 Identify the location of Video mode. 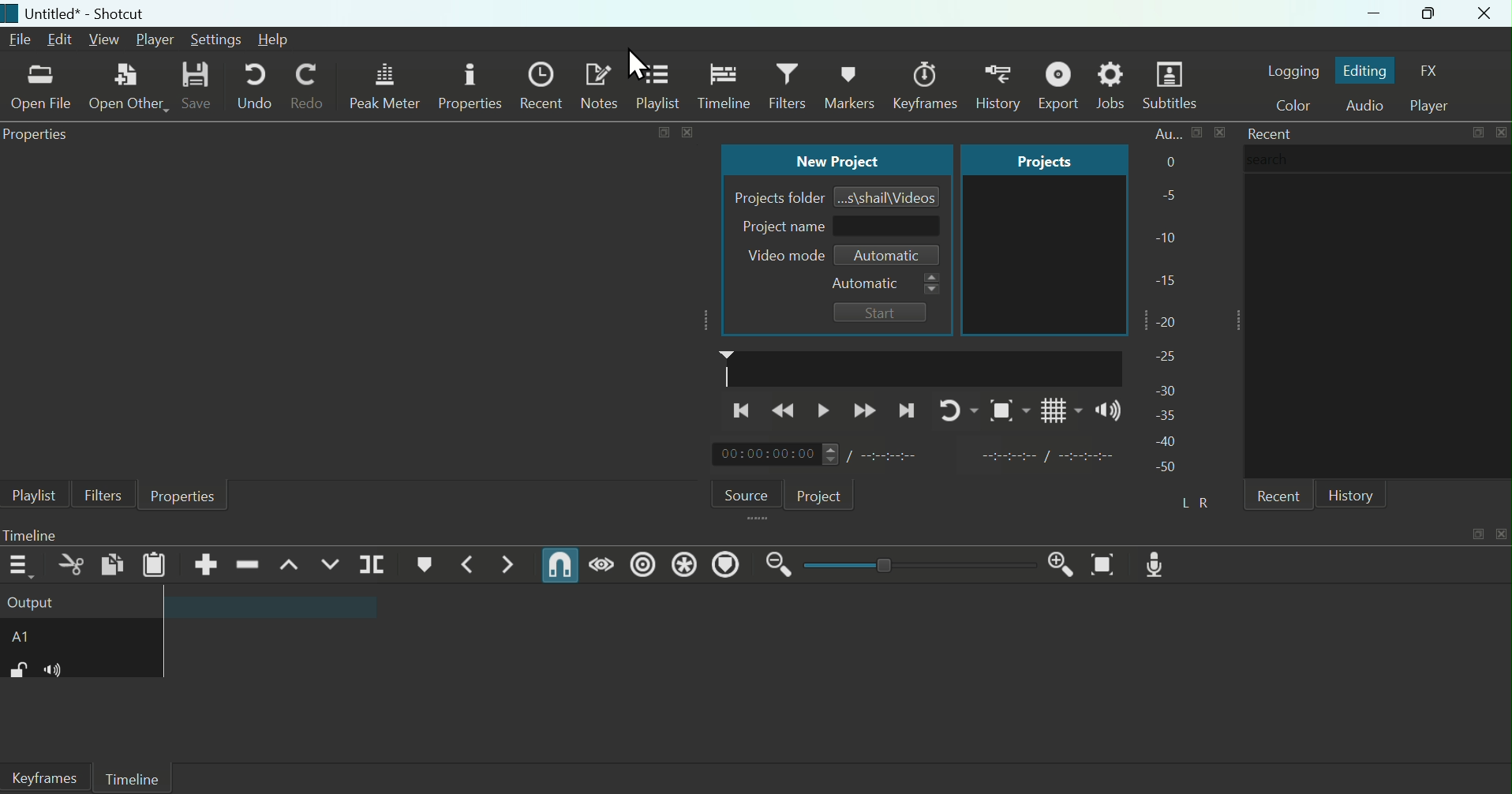
(780, 256).